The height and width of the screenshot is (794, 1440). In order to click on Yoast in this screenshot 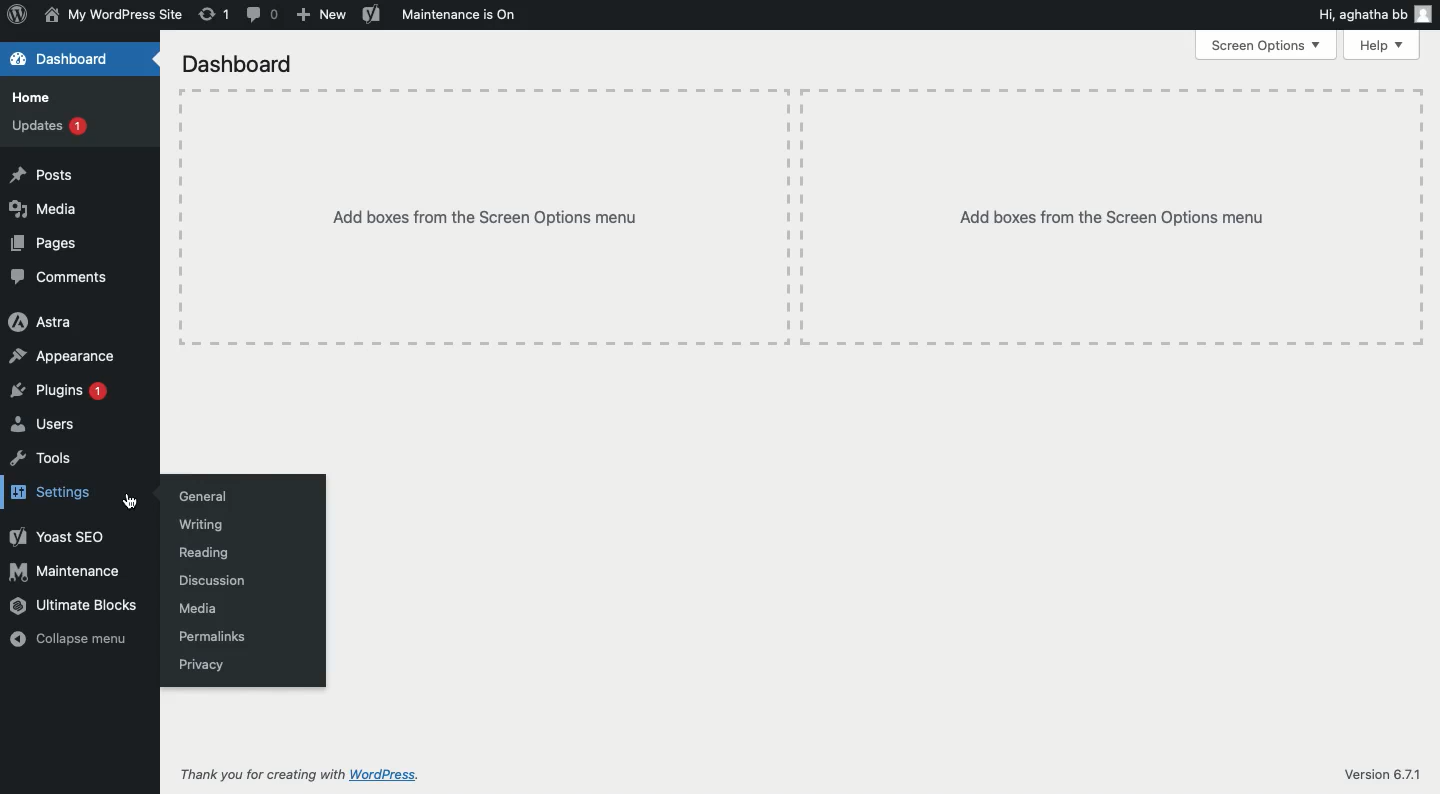, I will do `click(372, 13)`.